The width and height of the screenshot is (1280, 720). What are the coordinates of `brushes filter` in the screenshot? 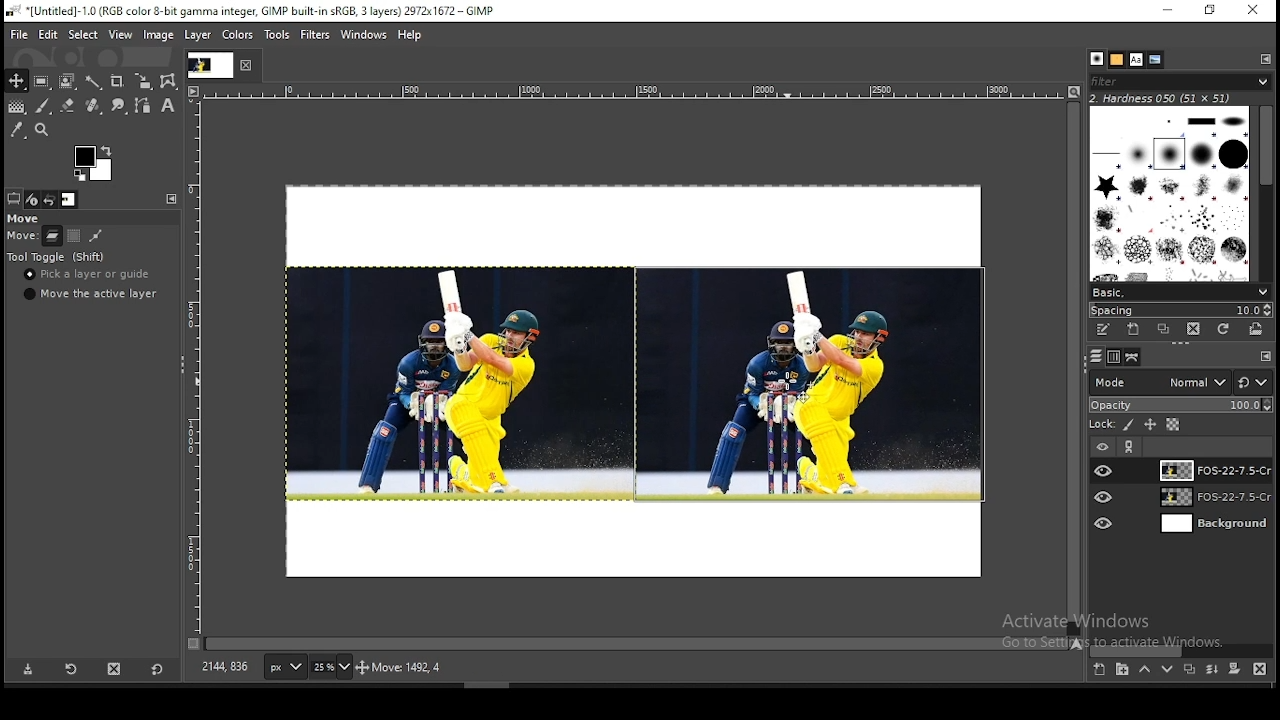 It's located at (1180, 80).